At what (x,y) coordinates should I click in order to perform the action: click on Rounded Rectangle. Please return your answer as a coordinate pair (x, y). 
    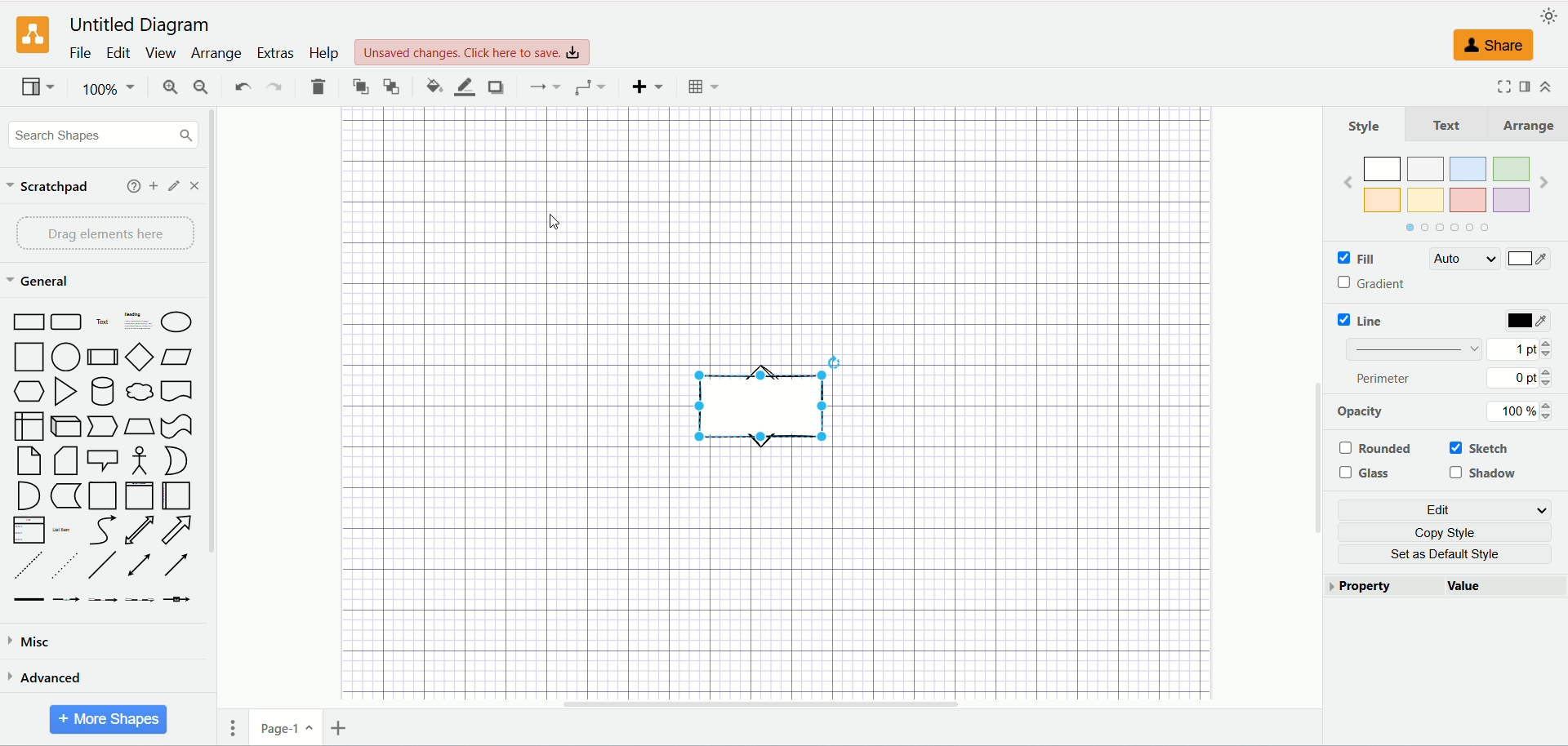
    Looking at the image, I should click on (67, 322).